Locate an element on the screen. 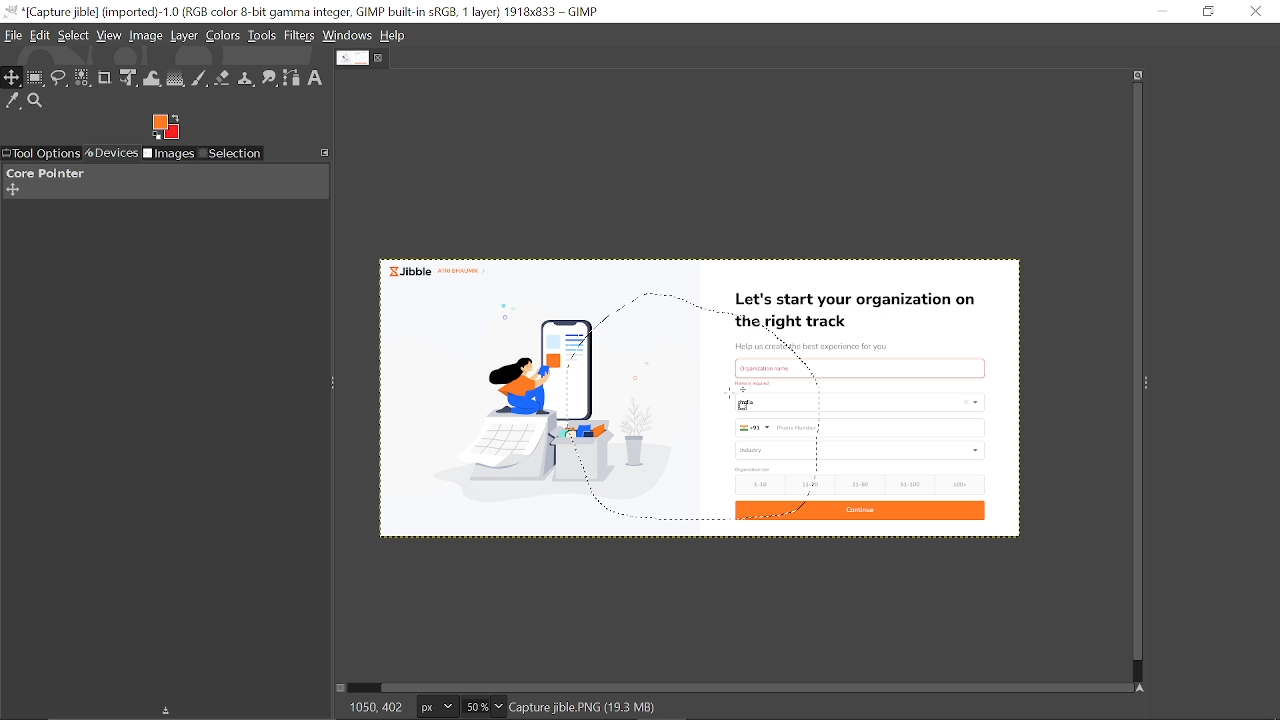 This screenshot has width=1280, height=720. Zoom tool is located at coordinates (36, 101).